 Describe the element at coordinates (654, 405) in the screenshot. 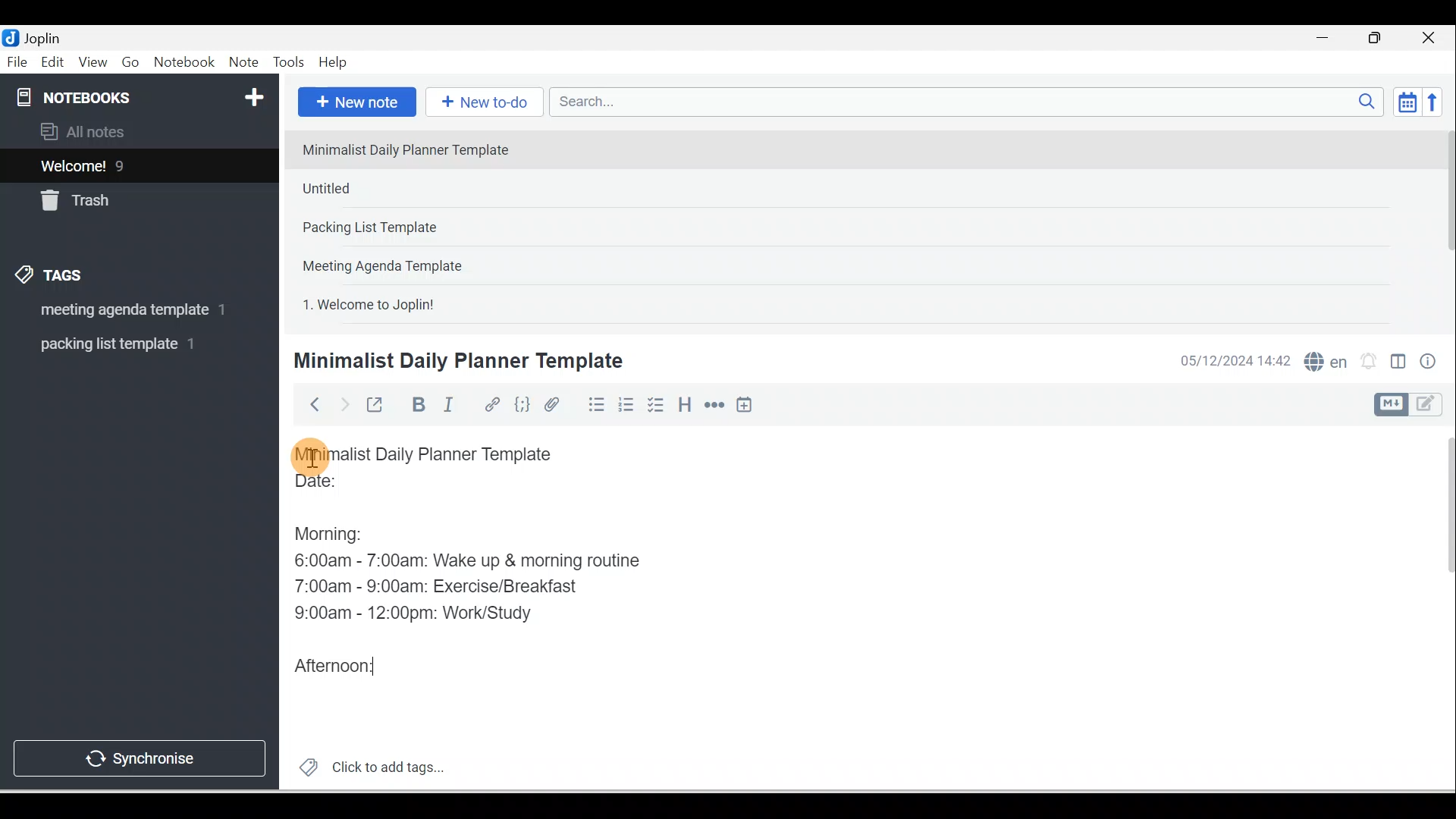

I see `Checkbox` at that location.